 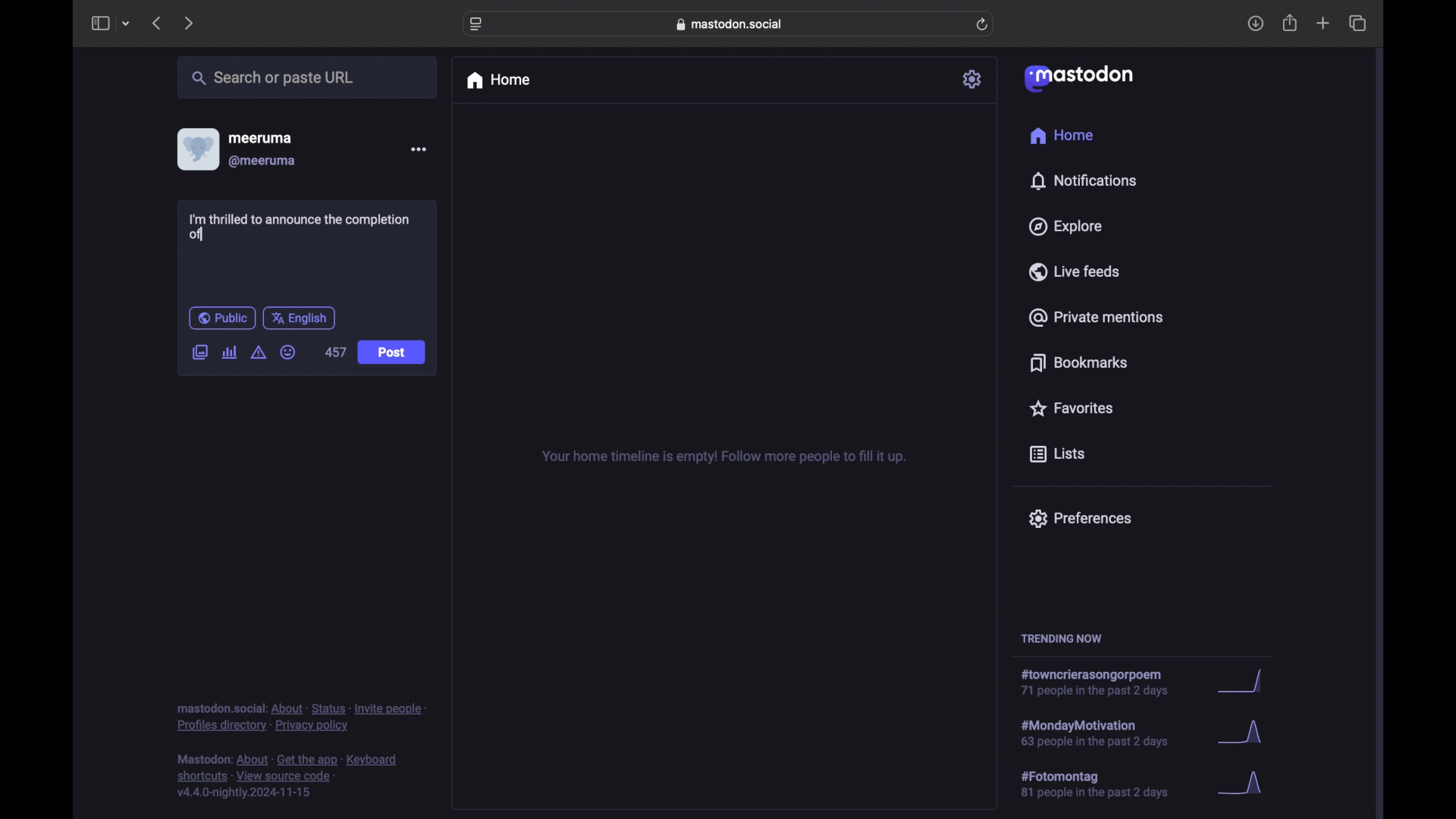 What do you see at coordinates (1105, 783) in the screenshot?
I see `hashtag trend` at bounding box center [1105, 783].